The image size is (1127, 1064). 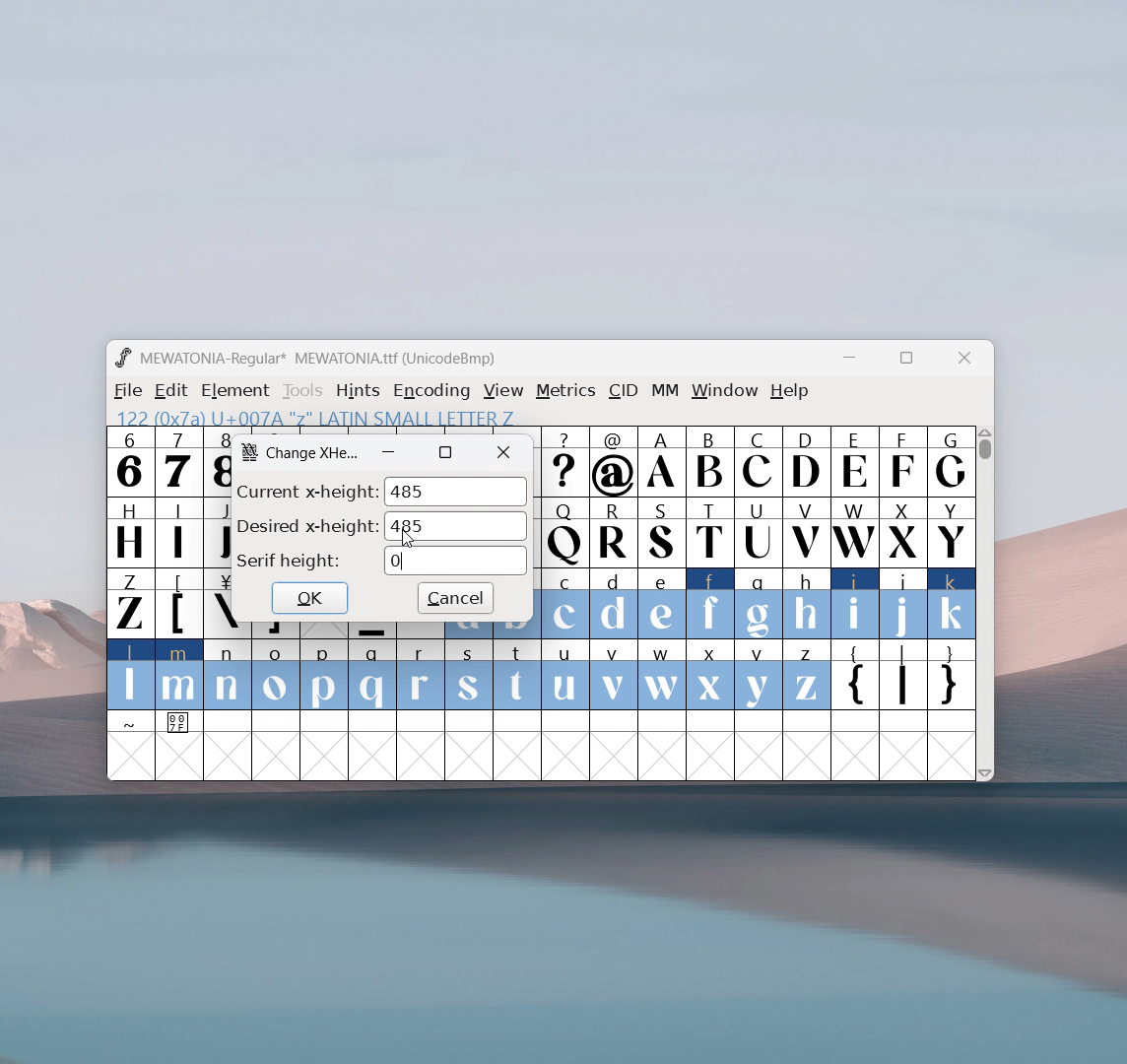 What do you see at coordinates (805, 460) in the screenshot?
I see `D` at bounding box center [805, 460].